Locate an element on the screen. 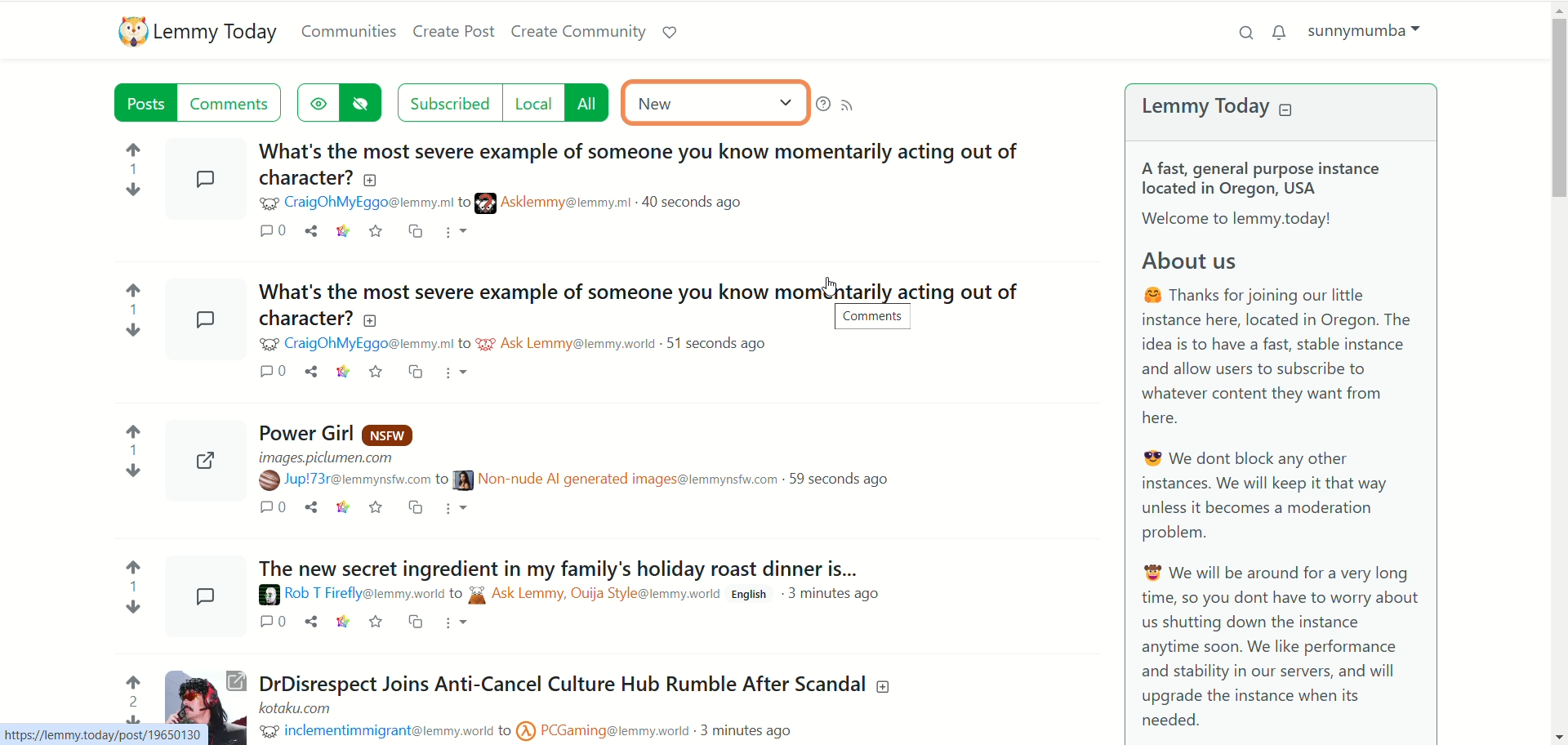 This screenshot has height=745, width=1568. comments is located at coordinates (273, 229).